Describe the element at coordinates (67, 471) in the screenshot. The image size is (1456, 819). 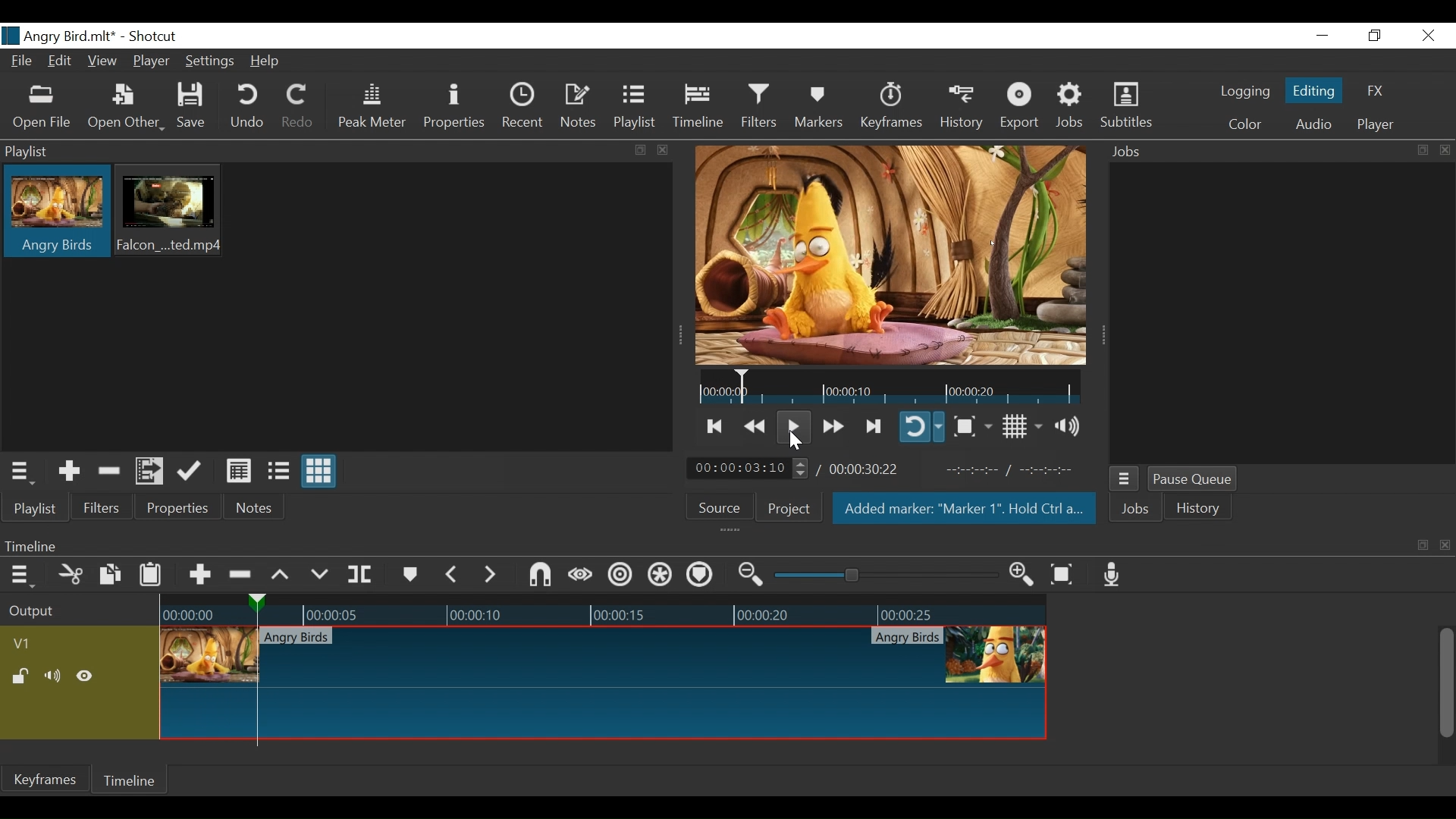
I see `Add the Source to the playlist` at that location.